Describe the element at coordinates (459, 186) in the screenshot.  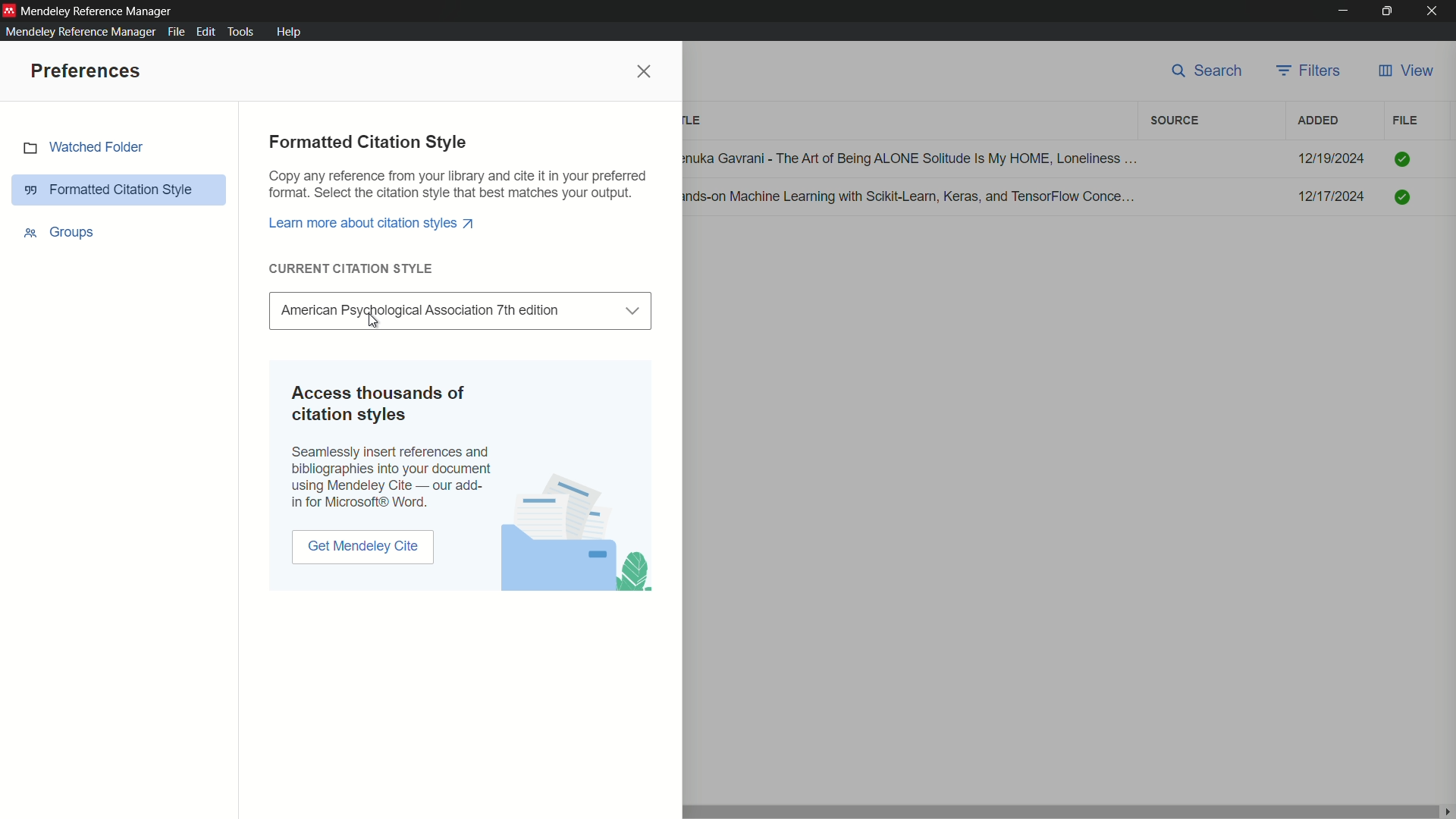
I see `Copy any reference from your library and cite it in your preferred format. Select the citation style that best matches your output` at that location.